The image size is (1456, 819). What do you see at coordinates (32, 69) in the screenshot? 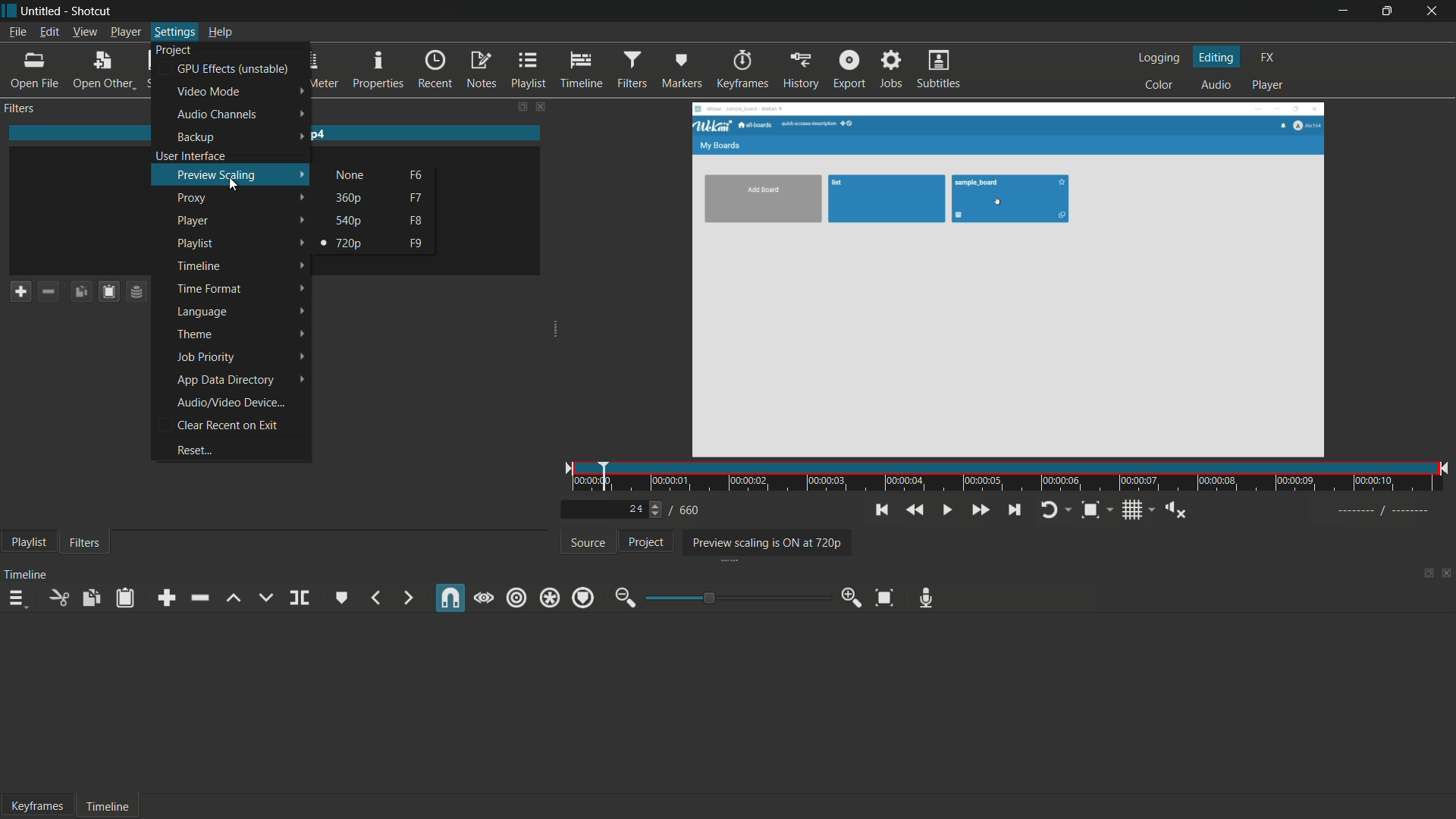
I see `open file` at bounding box center [32, 69].